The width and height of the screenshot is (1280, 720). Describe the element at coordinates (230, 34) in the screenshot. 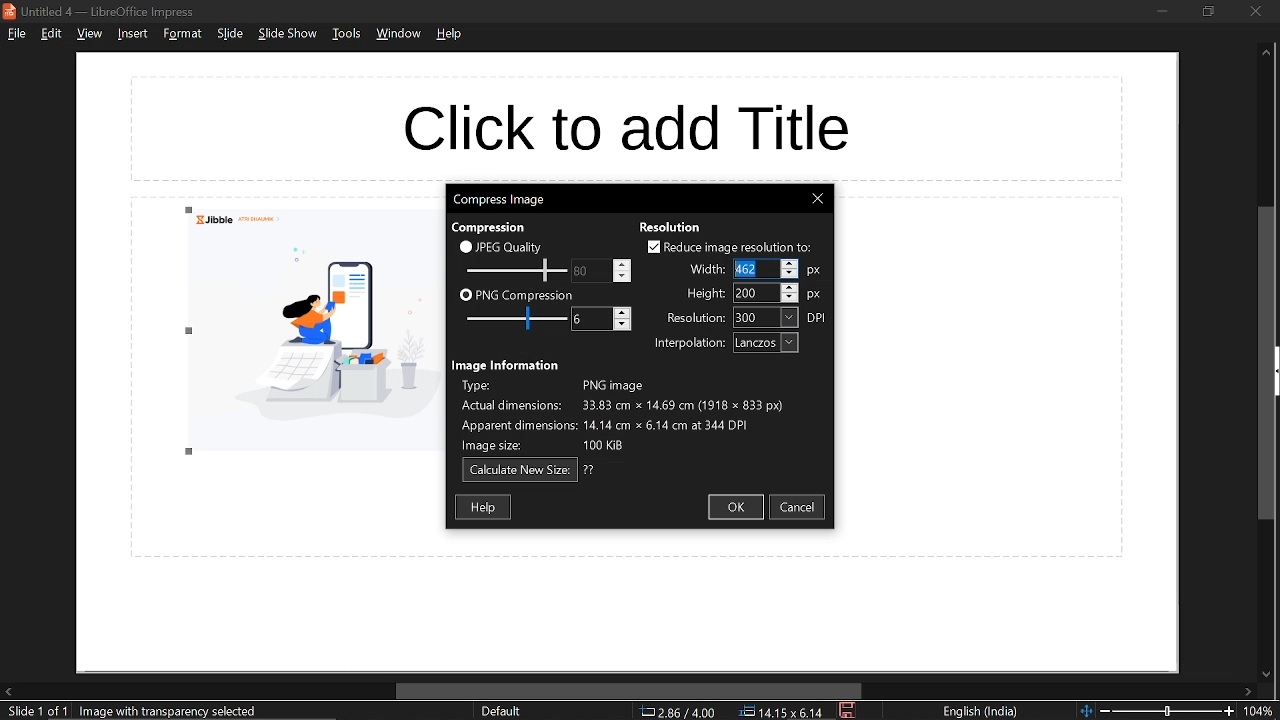

I see `slide` at that location.